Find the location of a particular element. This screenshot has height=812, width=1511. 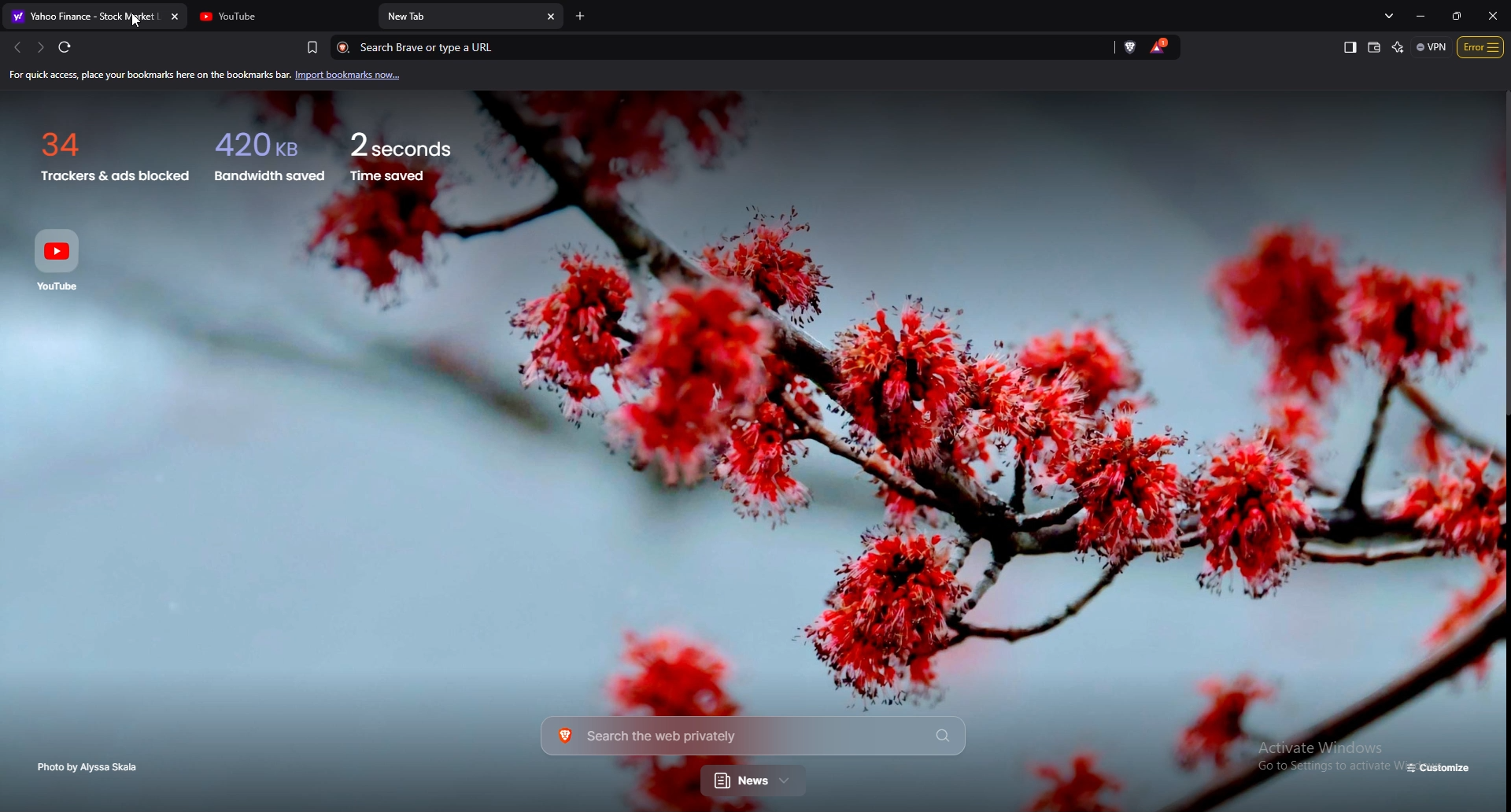

34 Trackers & ads blocked is located at coordinates (107, 151).